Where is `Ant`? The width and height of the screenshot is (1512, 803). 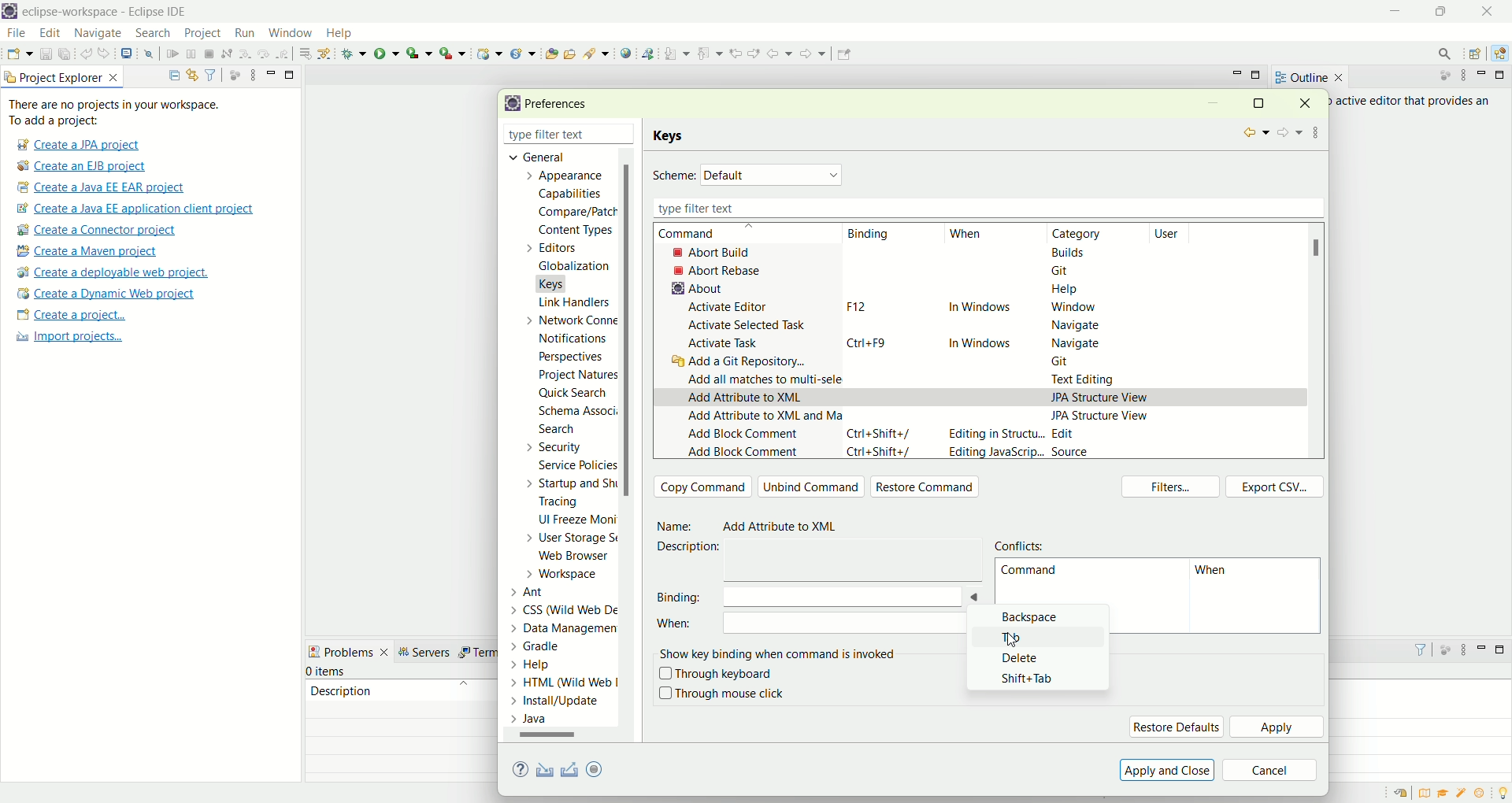
Ant is located at coordinates (537, 590).